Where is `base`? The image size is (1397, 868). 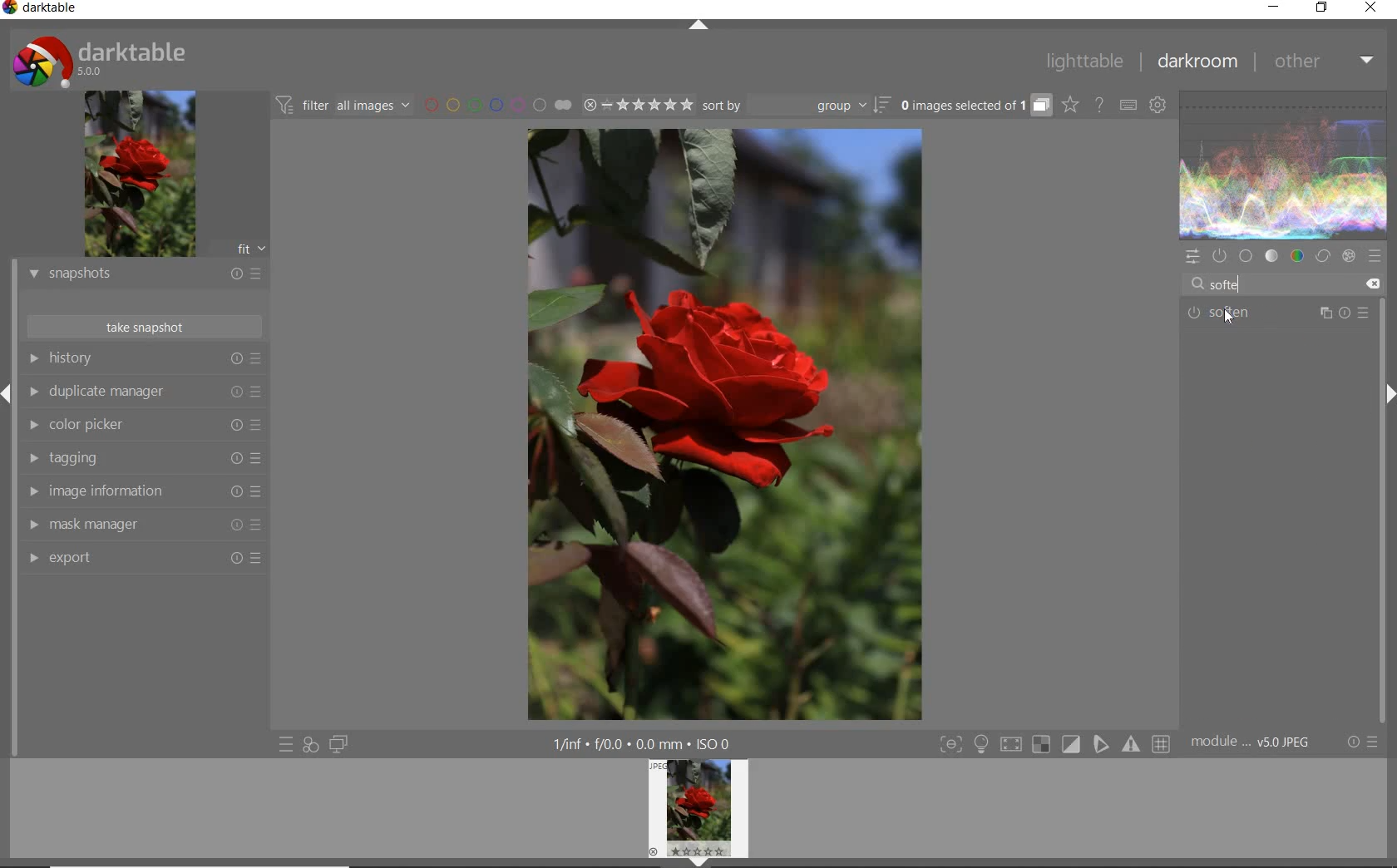
base is located at coordinates (1244, 255).